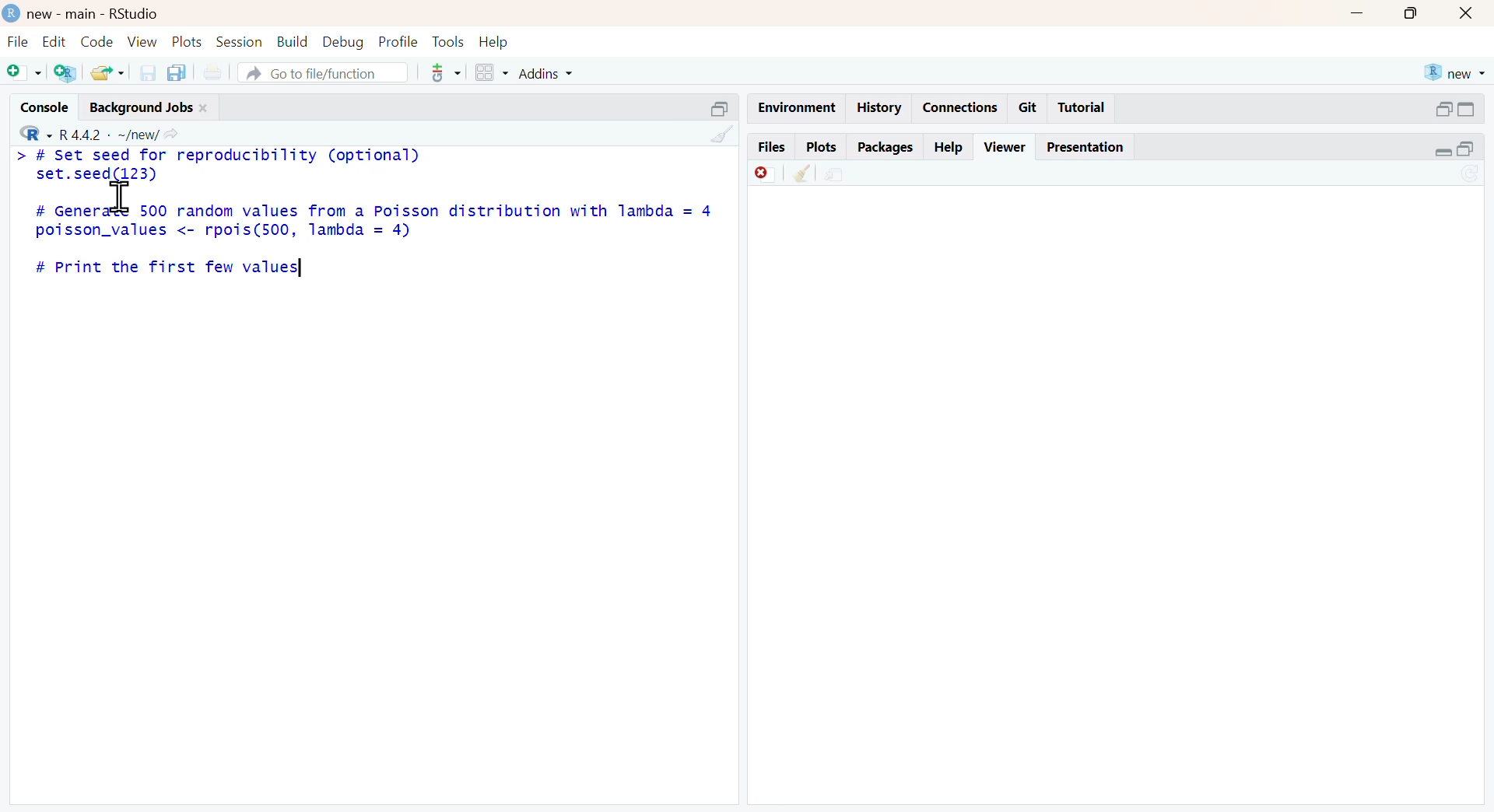  Describe the element at coordinates (93, 15) in the screenshot. I see `new - main - RStudio` at that location.